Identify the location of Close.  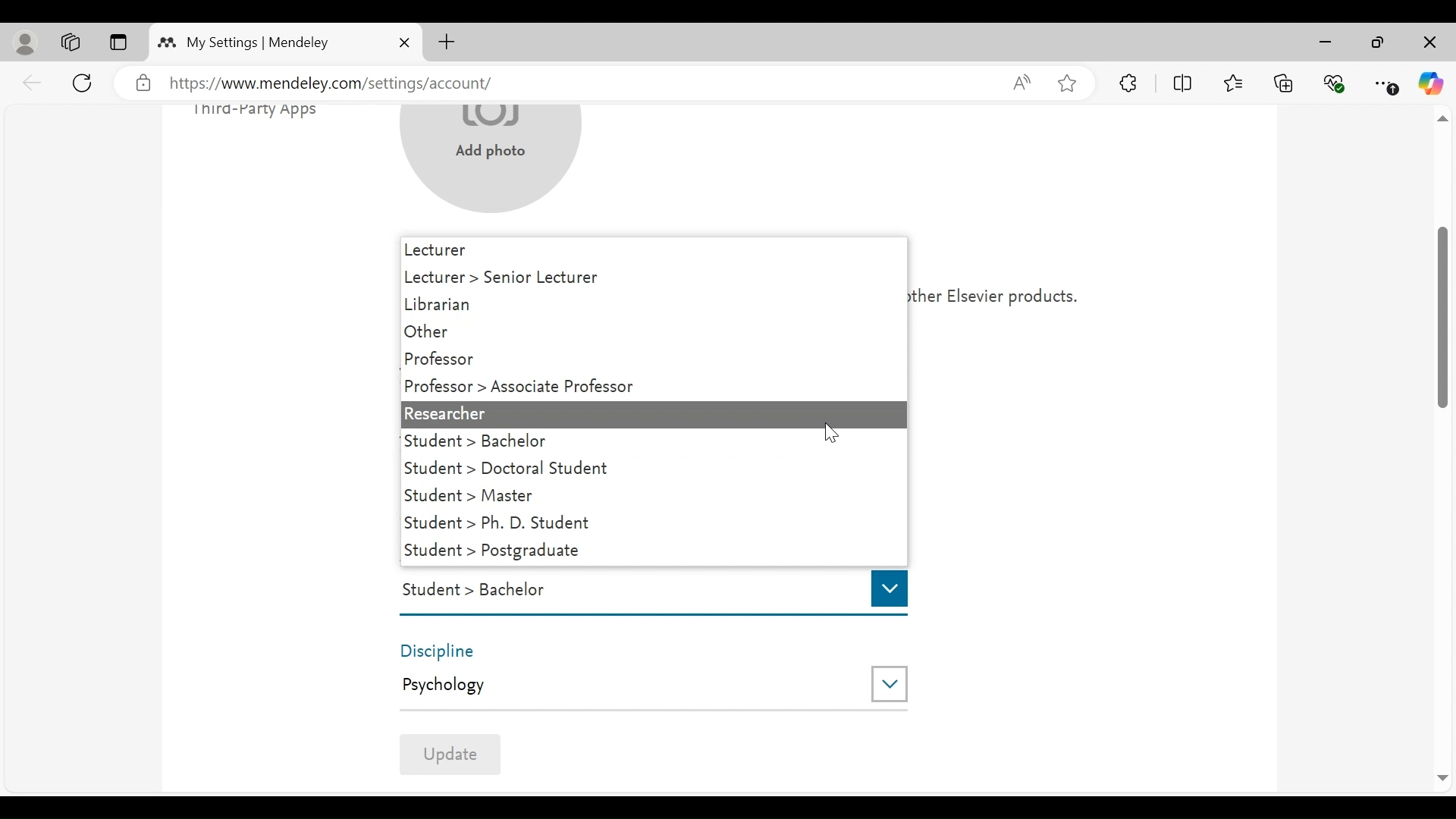
(404, 42).